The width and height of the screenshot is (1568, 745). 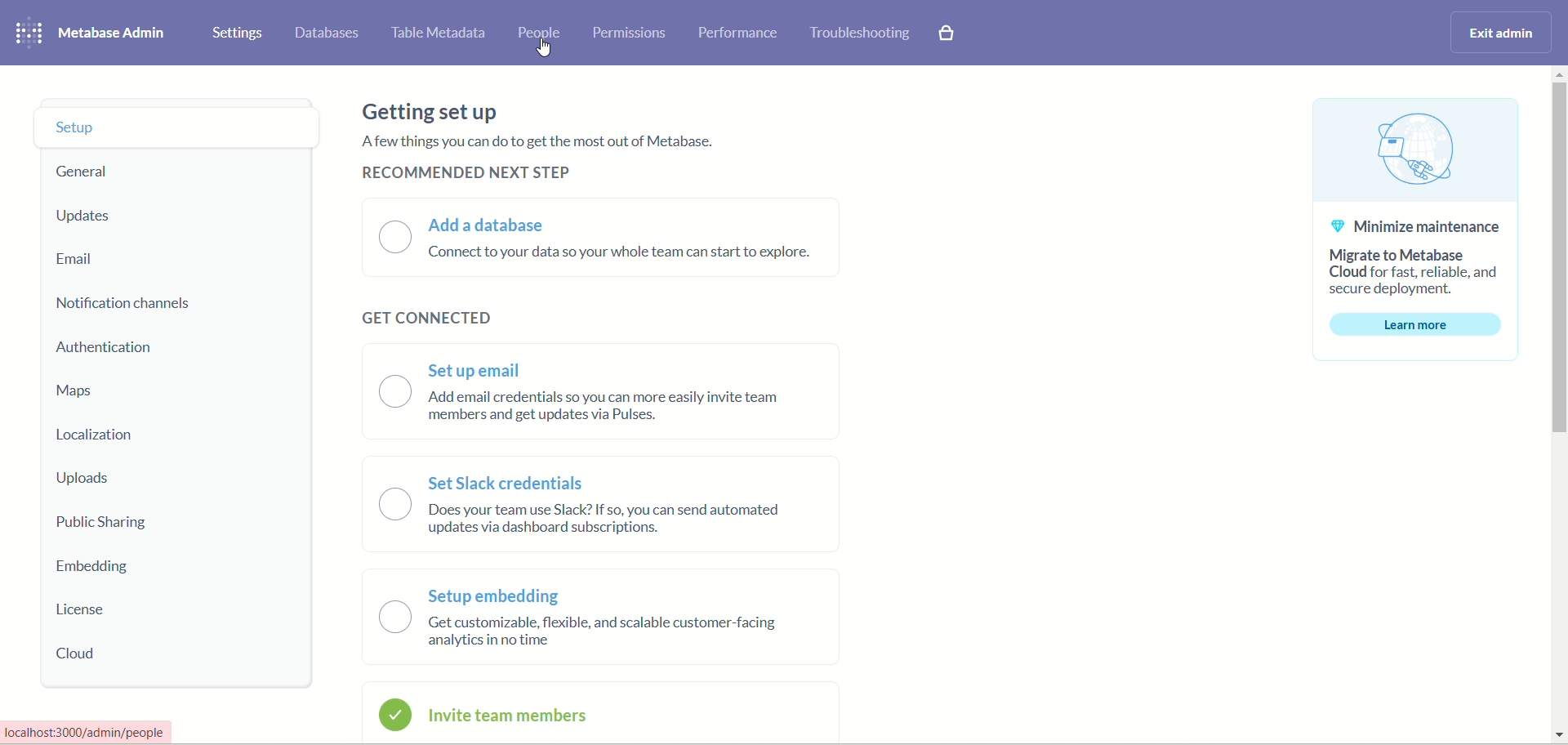 I want to click on get connected, so click(x=430, y=320).